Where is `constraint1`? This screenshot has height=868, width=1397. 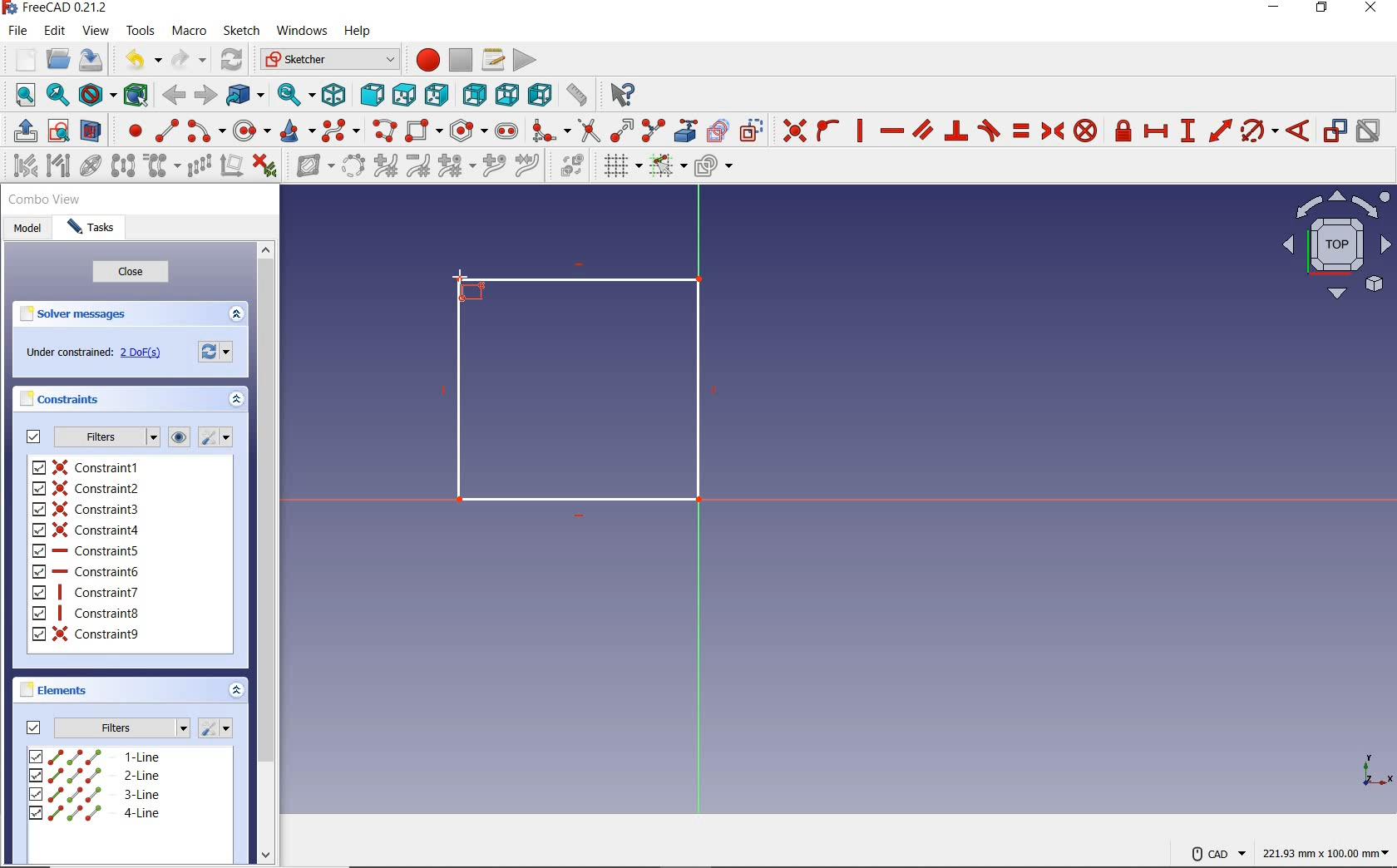 constraint1 is located at coordinates (86, 467).